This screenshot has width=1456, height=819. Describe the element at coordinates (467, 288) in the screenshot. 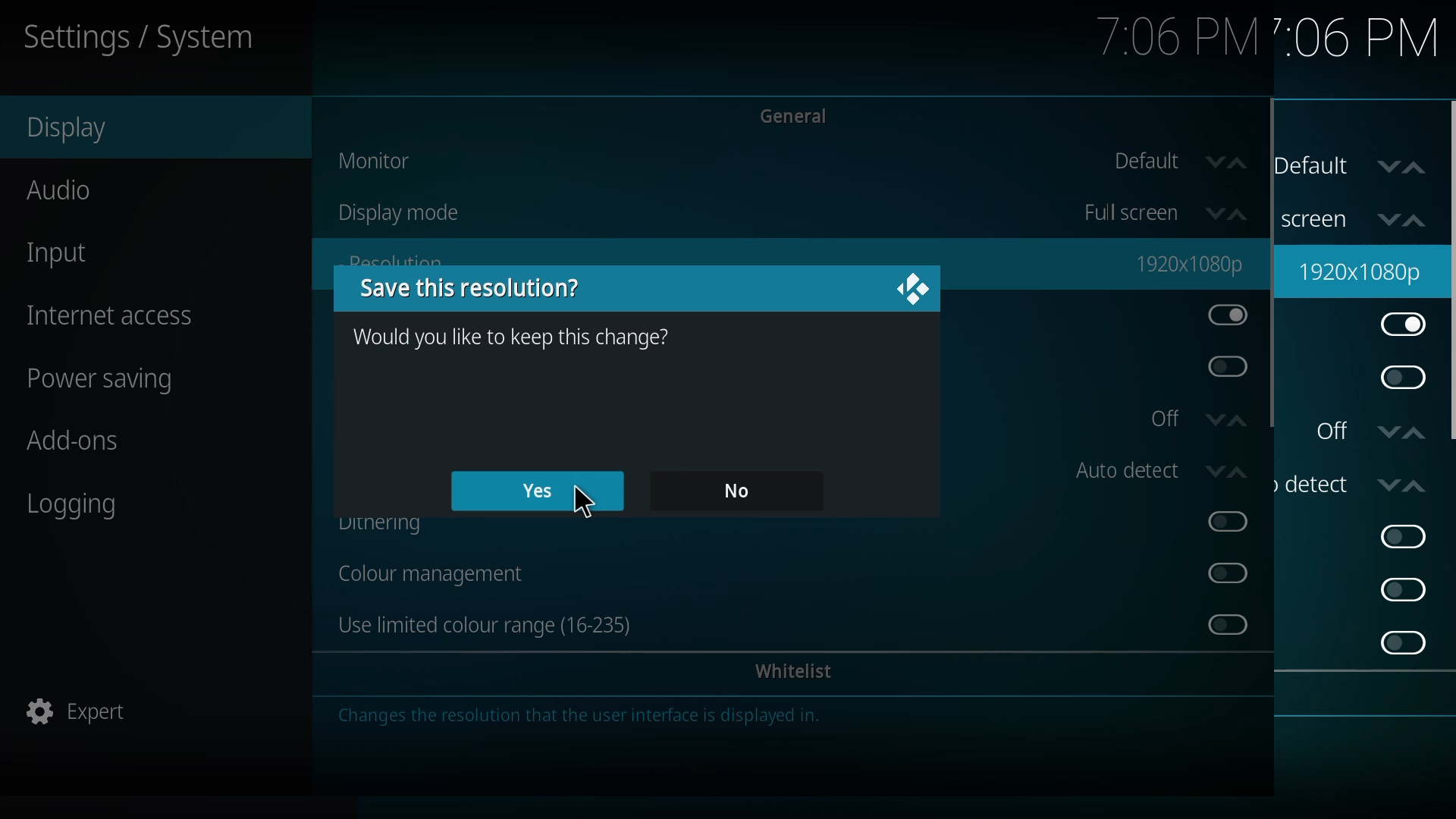

I see `save` at that location.